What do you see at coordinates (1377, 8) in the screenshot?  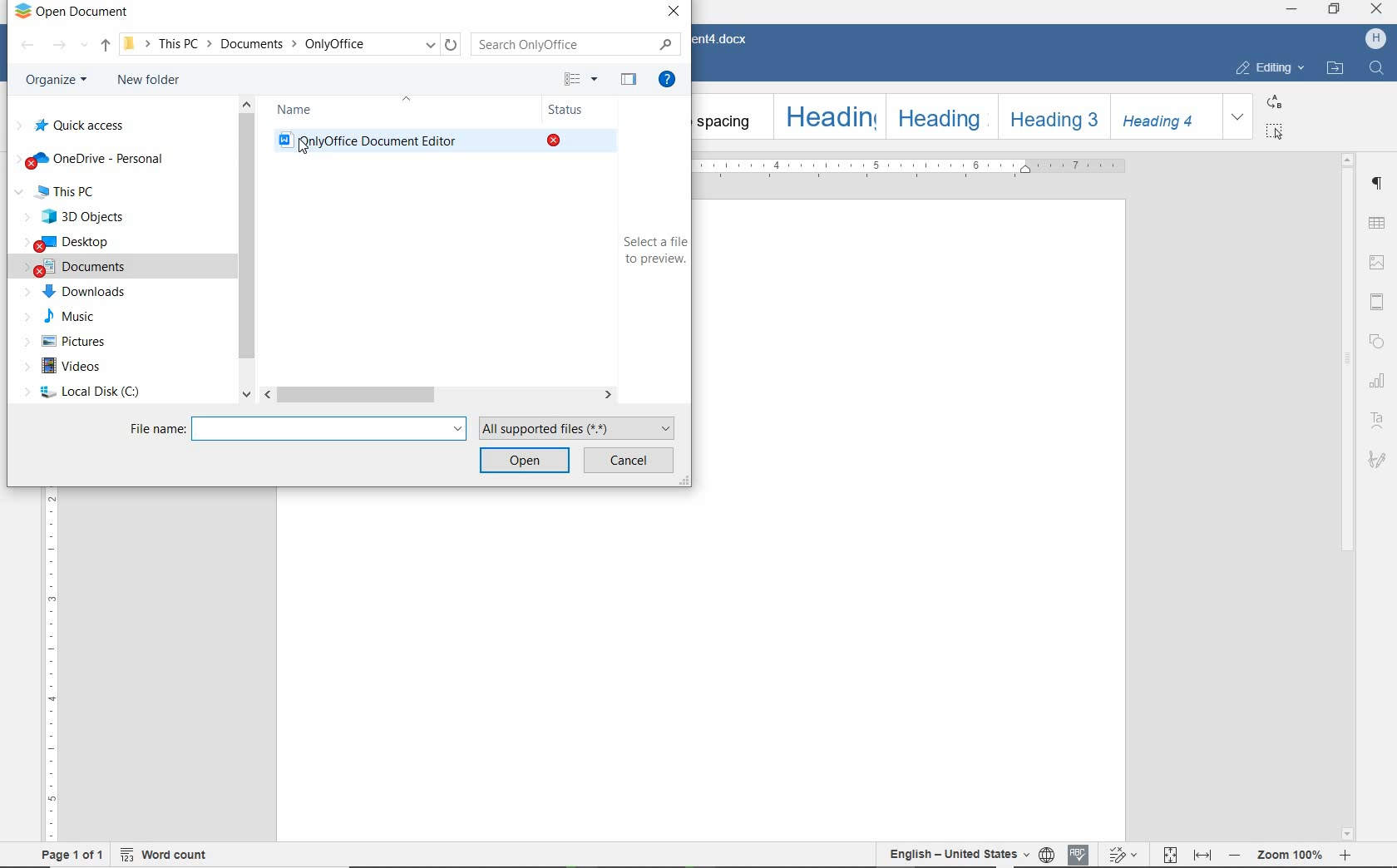 I see `close` at bounding box center [1377, 8].